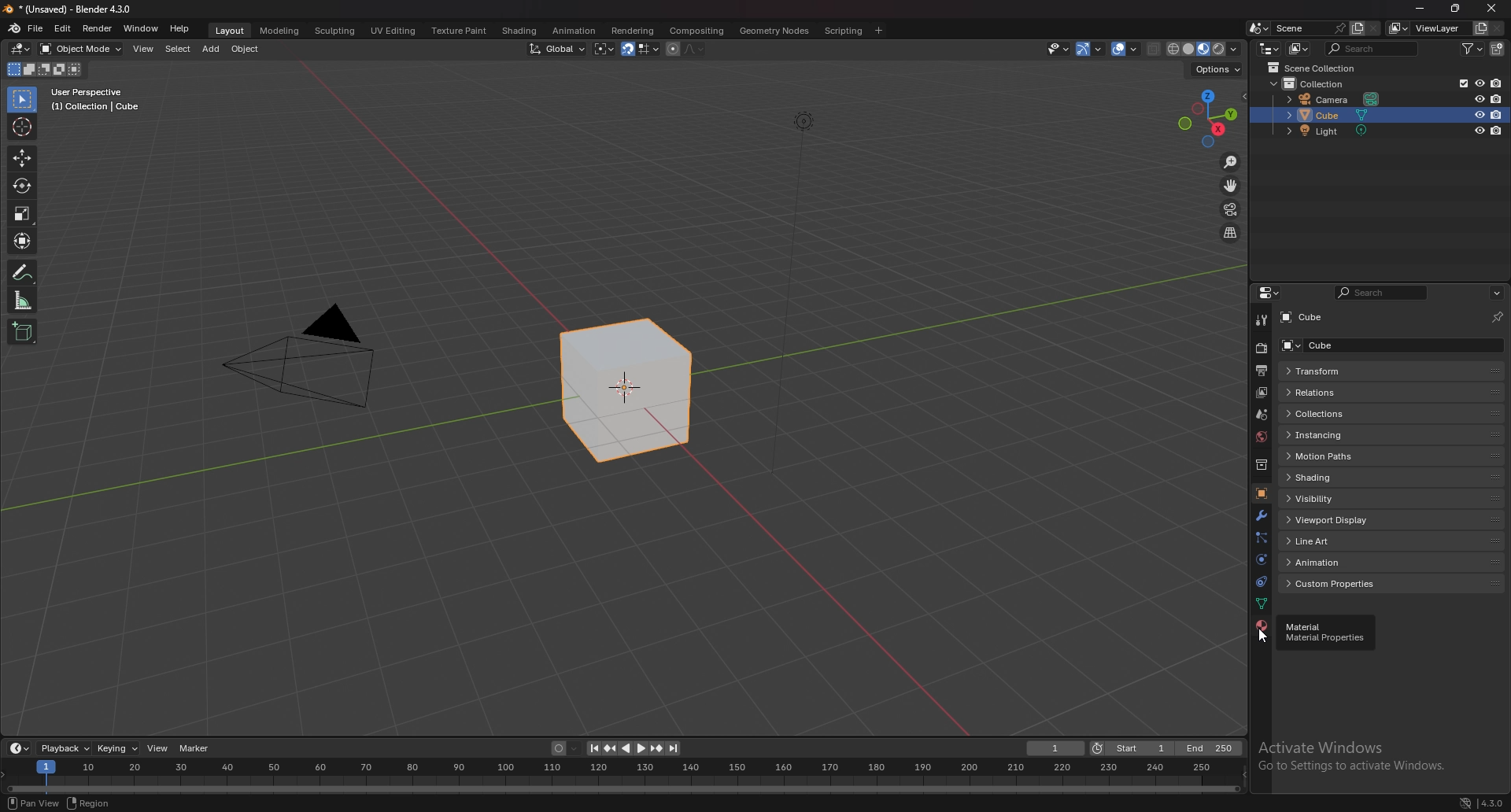 The image size is (1511, 812). Describe the element at coordinates (640, 50) in the screenshot. I see `snapping` at that location.